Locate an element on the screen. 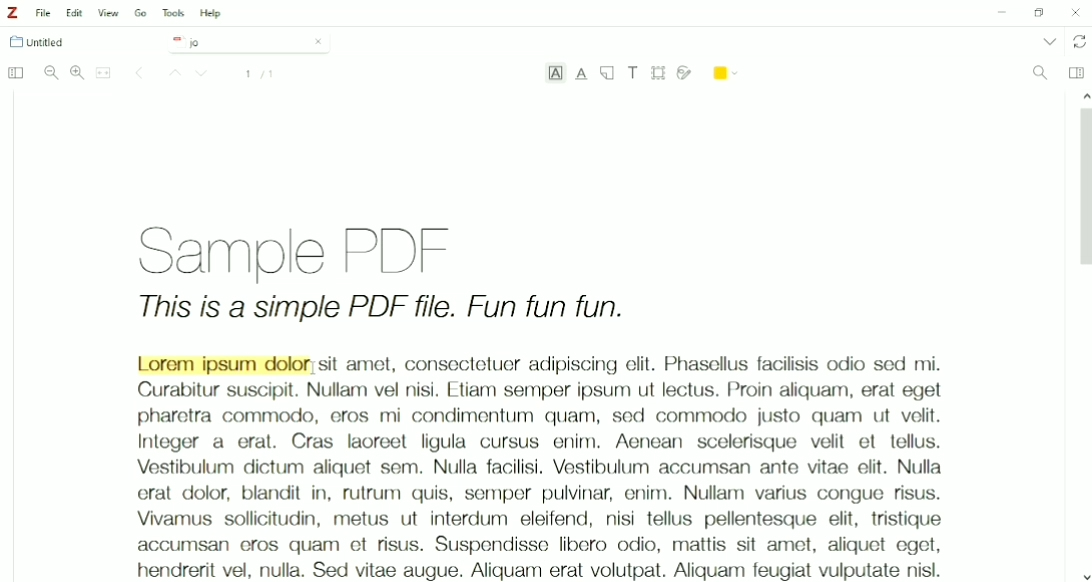 The image size is (1092, 582). Up is located at coordinates (172, 74).